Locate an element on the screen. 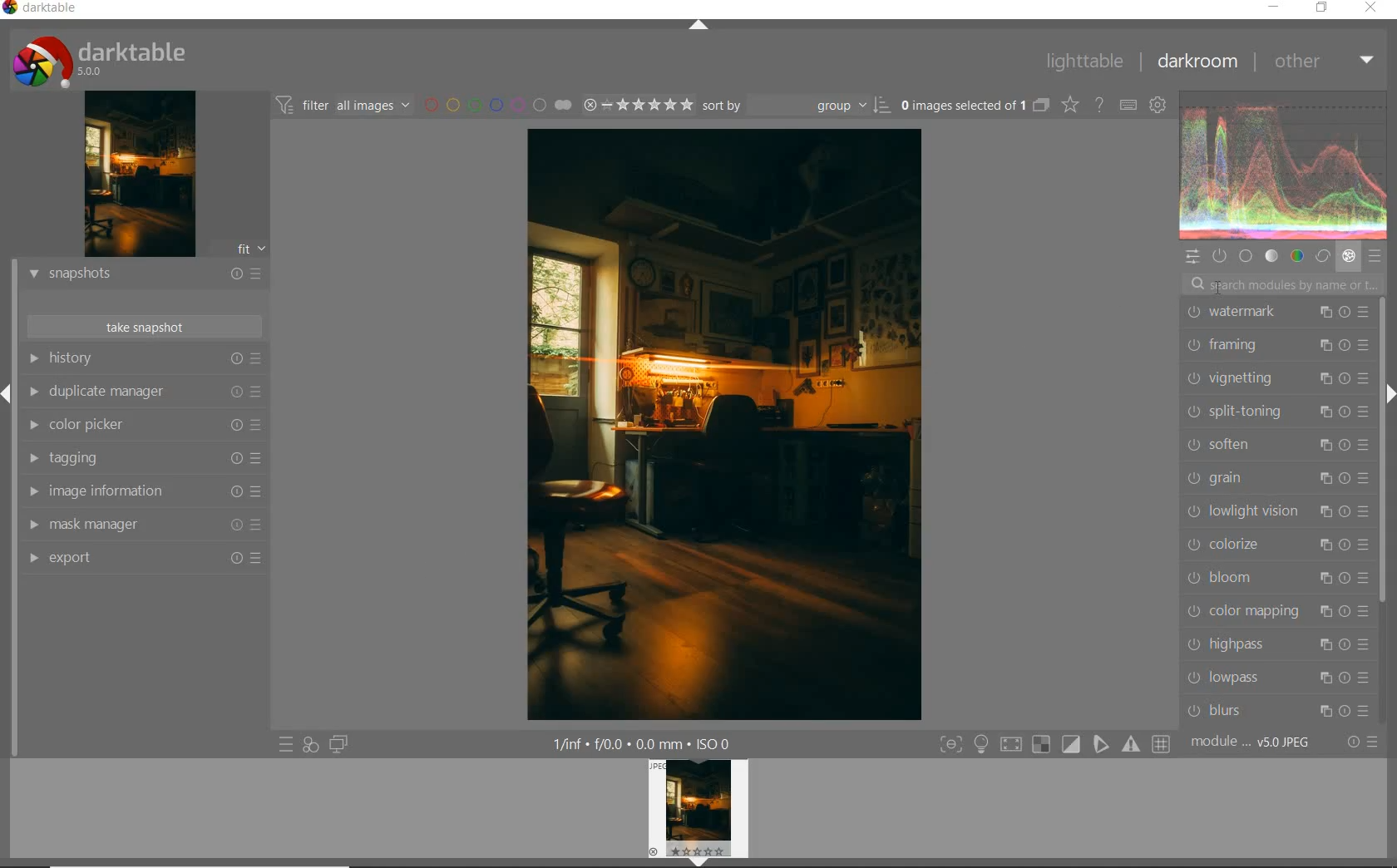 The image size is (1397, 868). effect is located at coordinates (1350, 257).